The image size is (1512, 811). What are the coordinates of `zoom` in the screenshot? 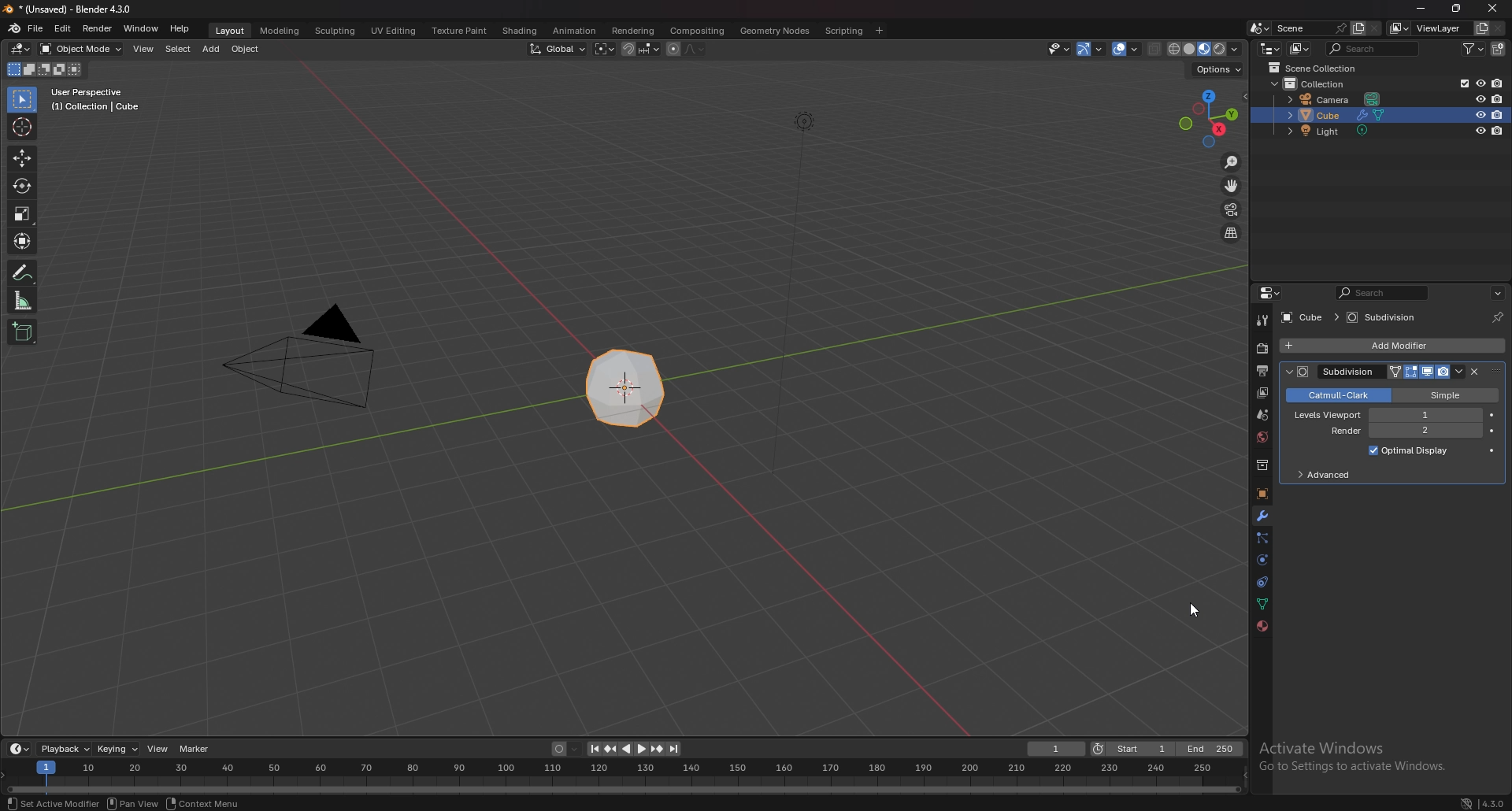 It's located at (1230, 162).